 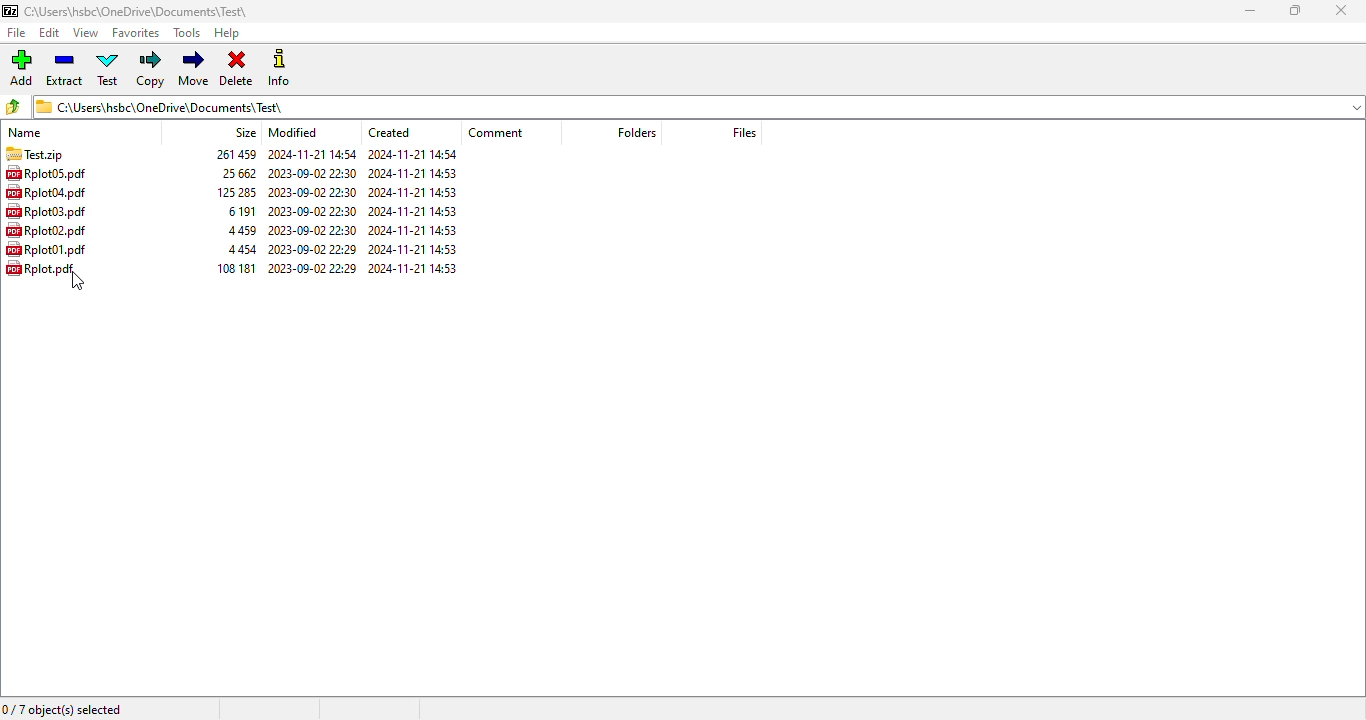 What do you see at coordinates (310, 248) in the screenshot?
I see ` 2023-09-02 22:29` at bounding box center [310, 248].